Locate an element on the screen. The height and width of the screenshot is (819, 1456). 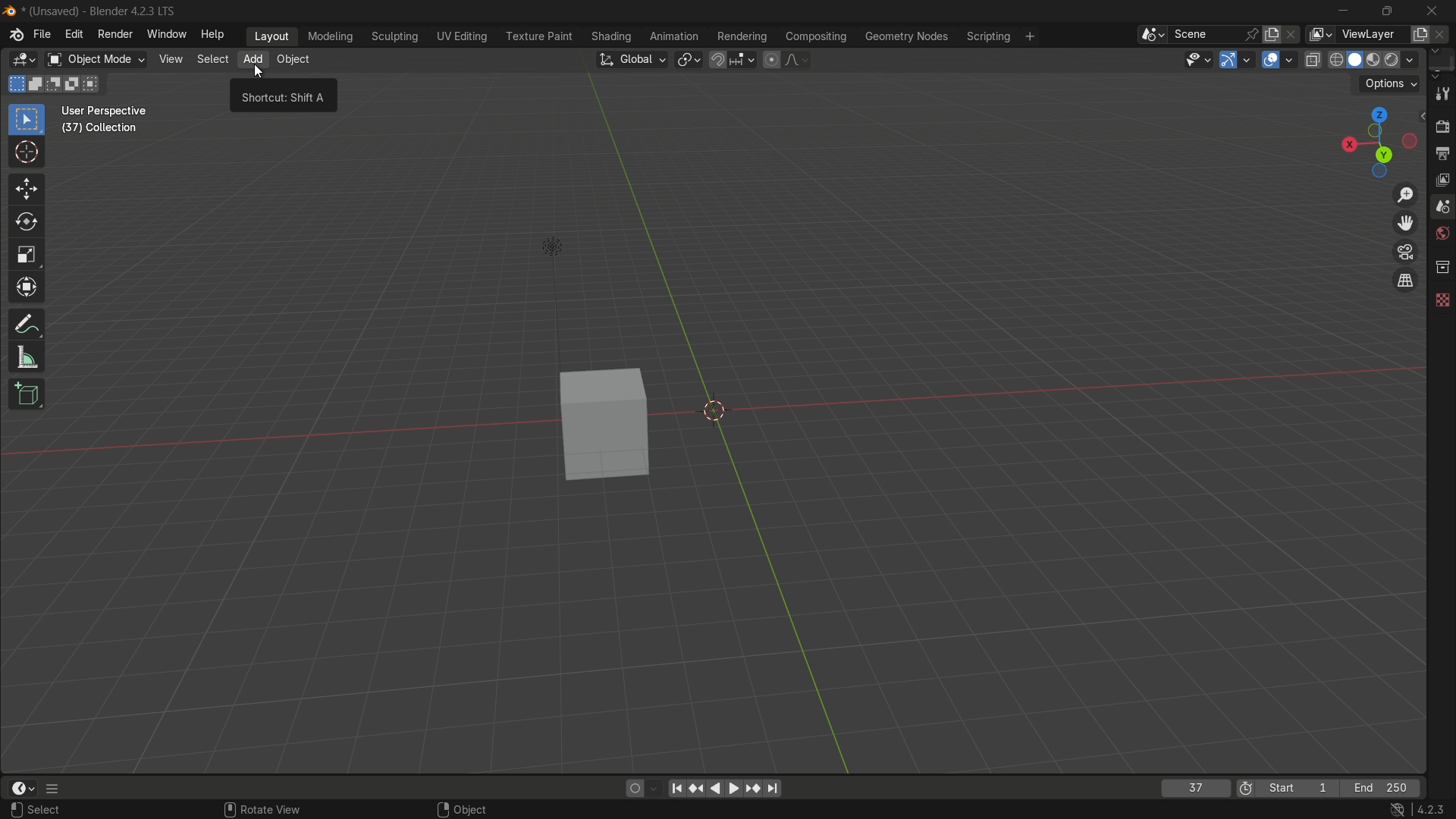
object mode is located at coordinates (96, 59).